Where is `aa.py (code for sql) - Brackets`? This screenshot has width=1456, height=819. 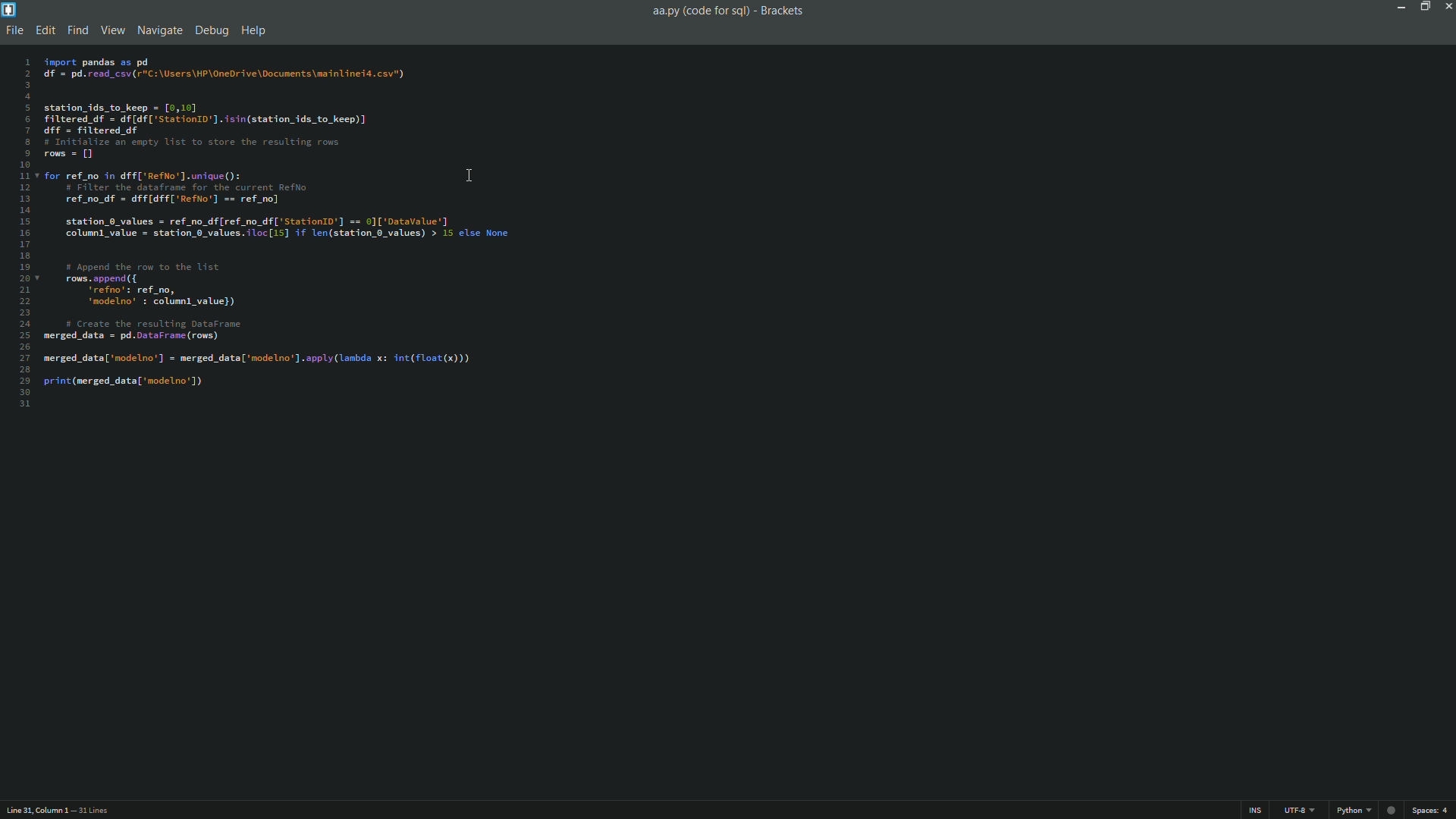
aa.py (code for sql) - Brackets is located at coordinates (726, 13).